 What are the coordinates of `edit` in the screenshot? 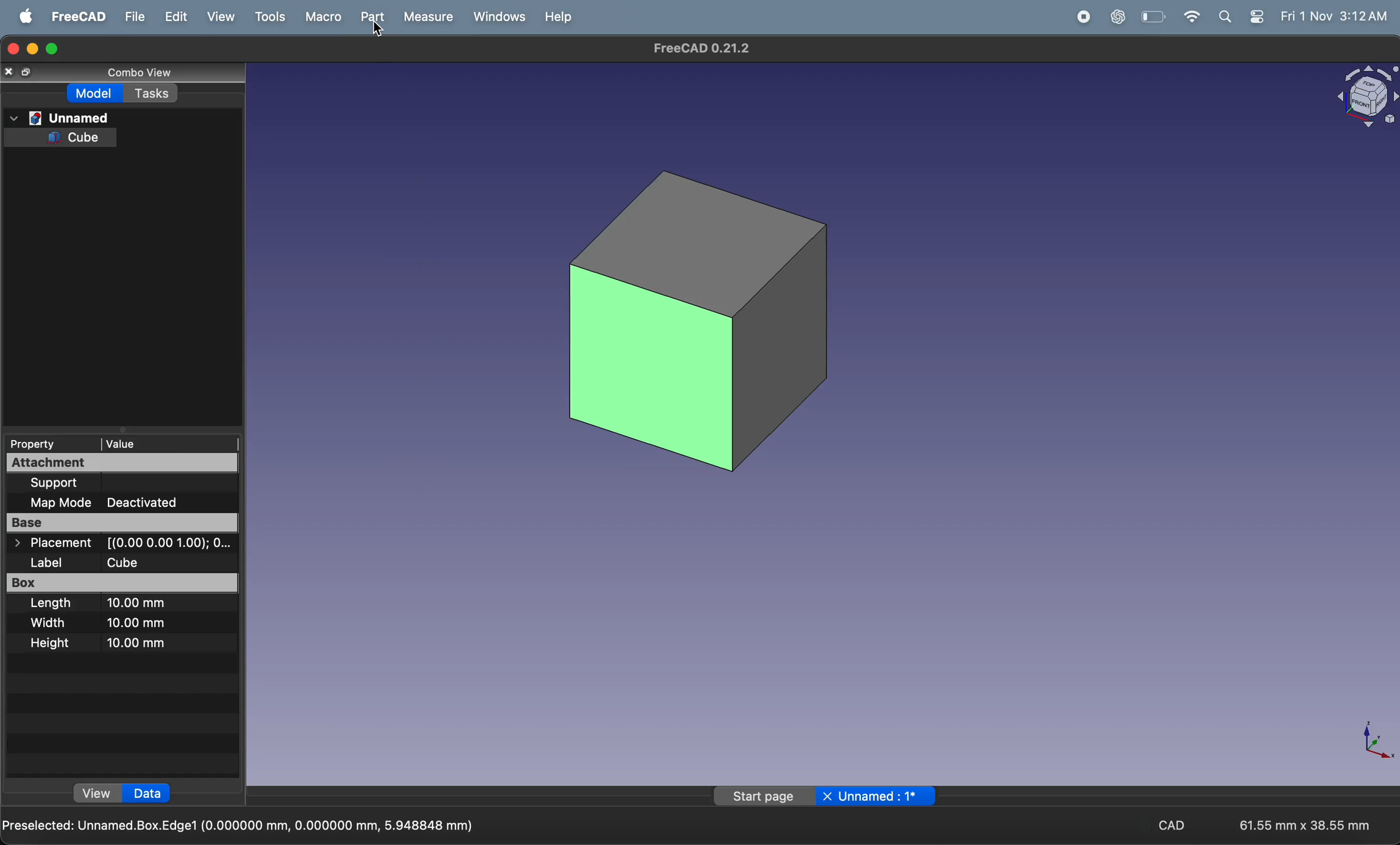 It's located at (173, 16).